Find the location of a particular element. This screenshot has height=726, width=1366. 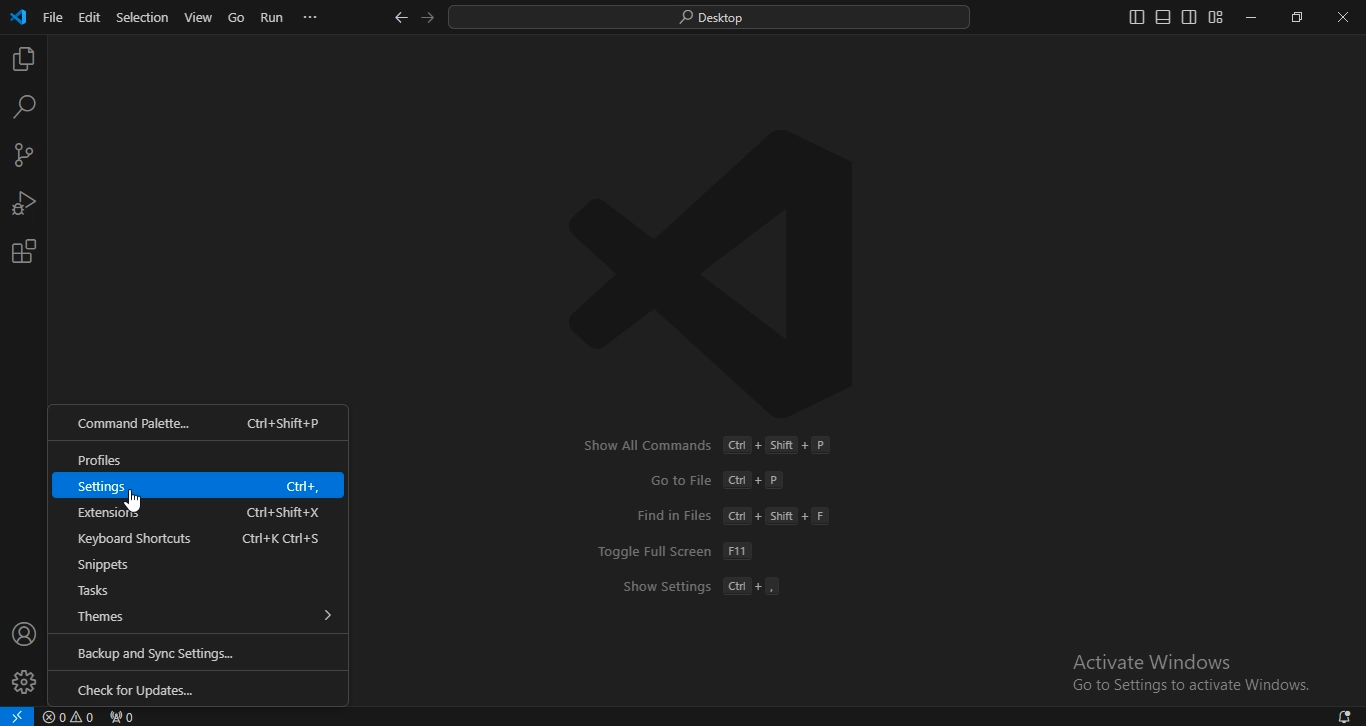

Open a remote window is located at coordinates (19, 715).